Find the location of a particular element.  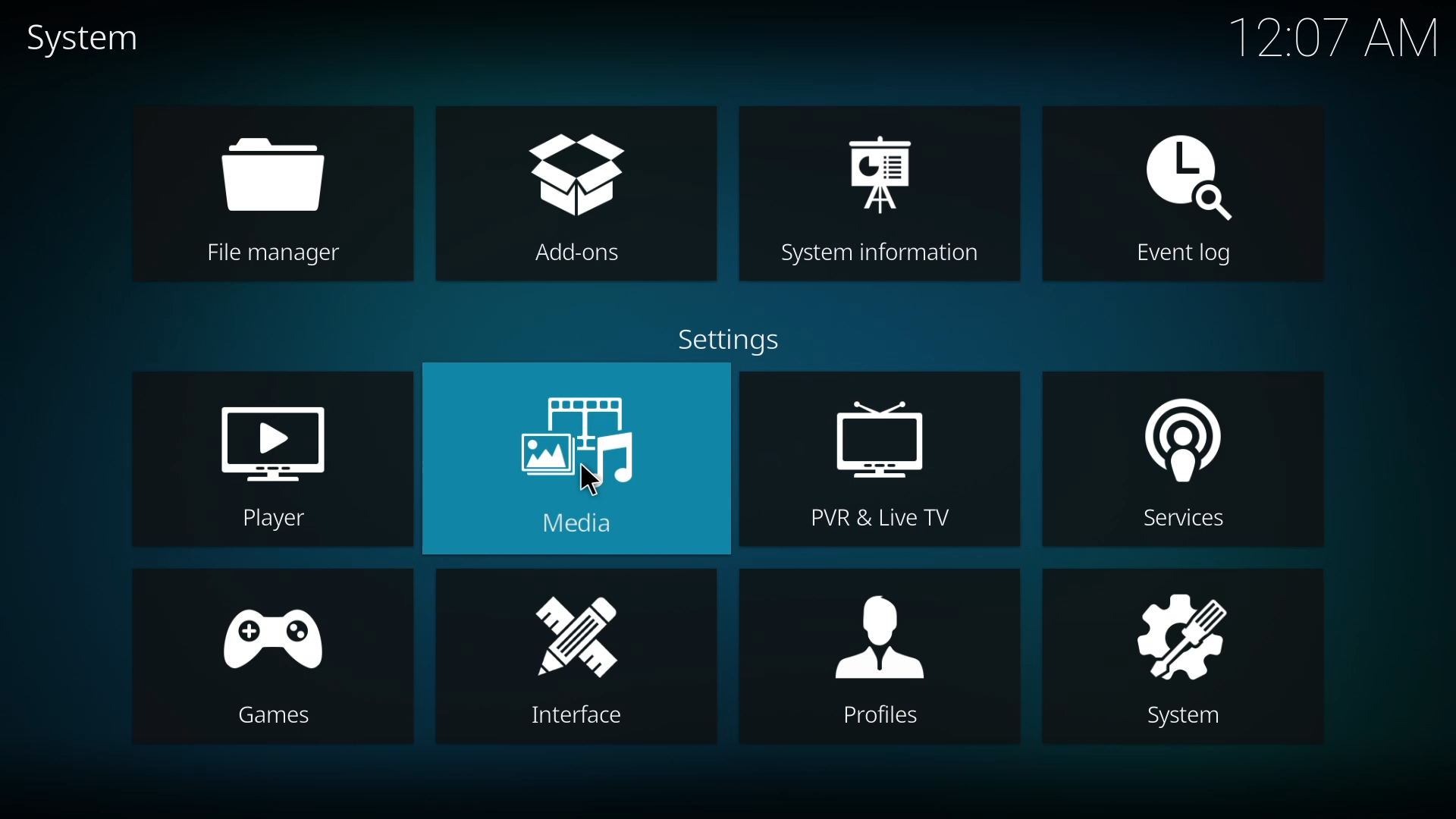

add-ons is located at coordinates (576, 196).